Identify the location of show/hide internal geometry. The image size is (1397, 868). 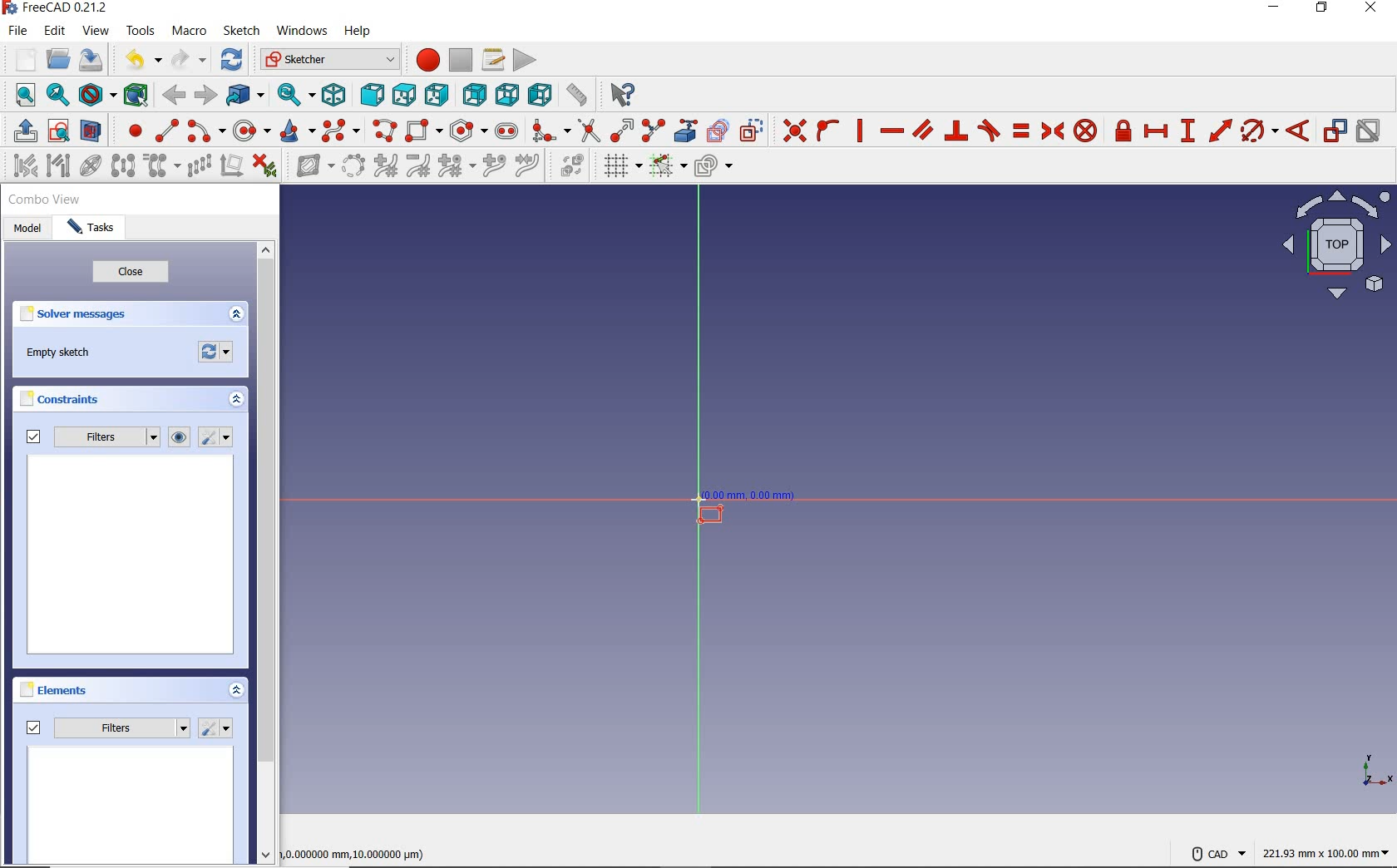
(89, 166).